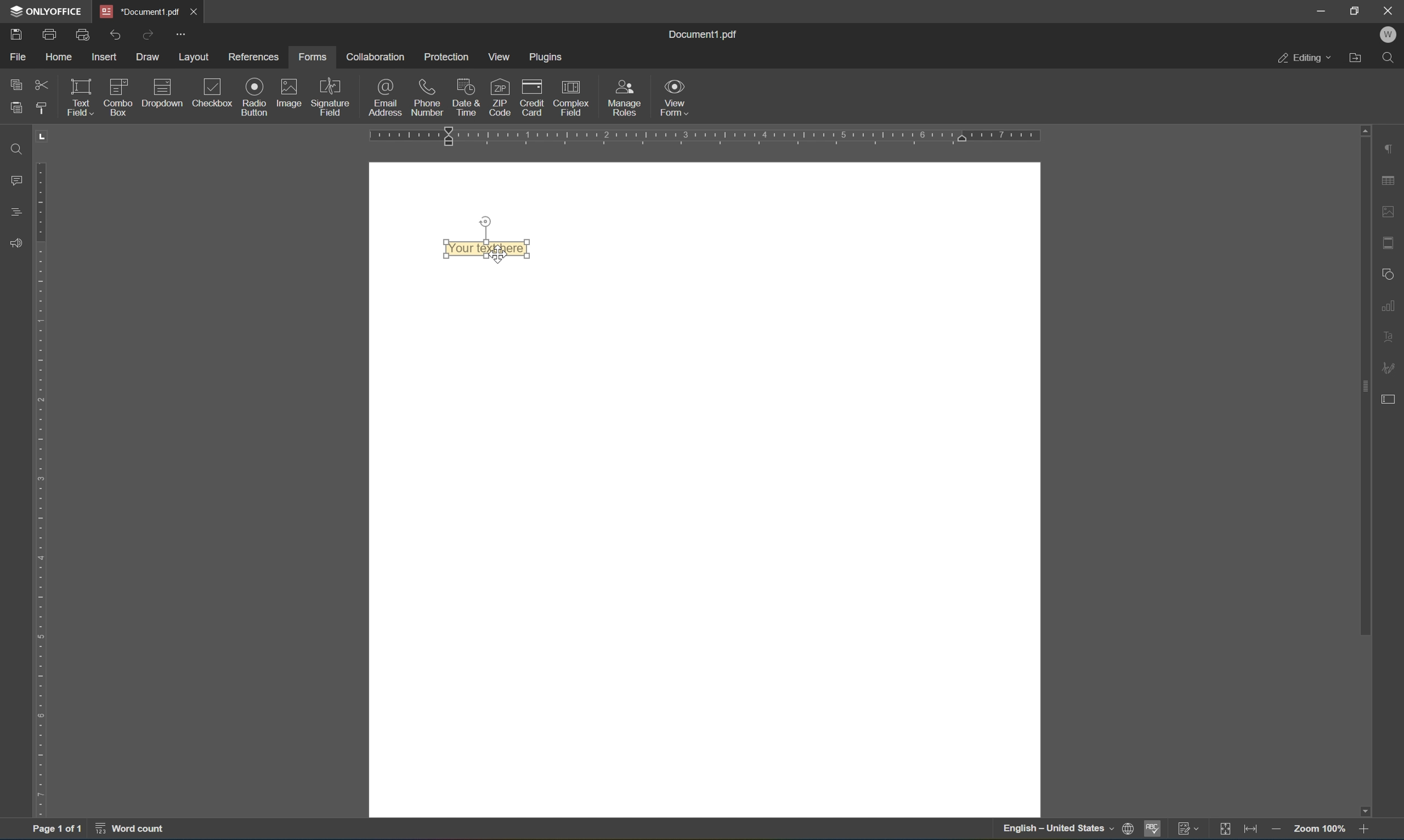 The width and height of the screenshot is (1404, 840). What do you see at coordinates (1388, 365) in the screenshot?
I see `signature settings` at bounding box center [1388, 365].